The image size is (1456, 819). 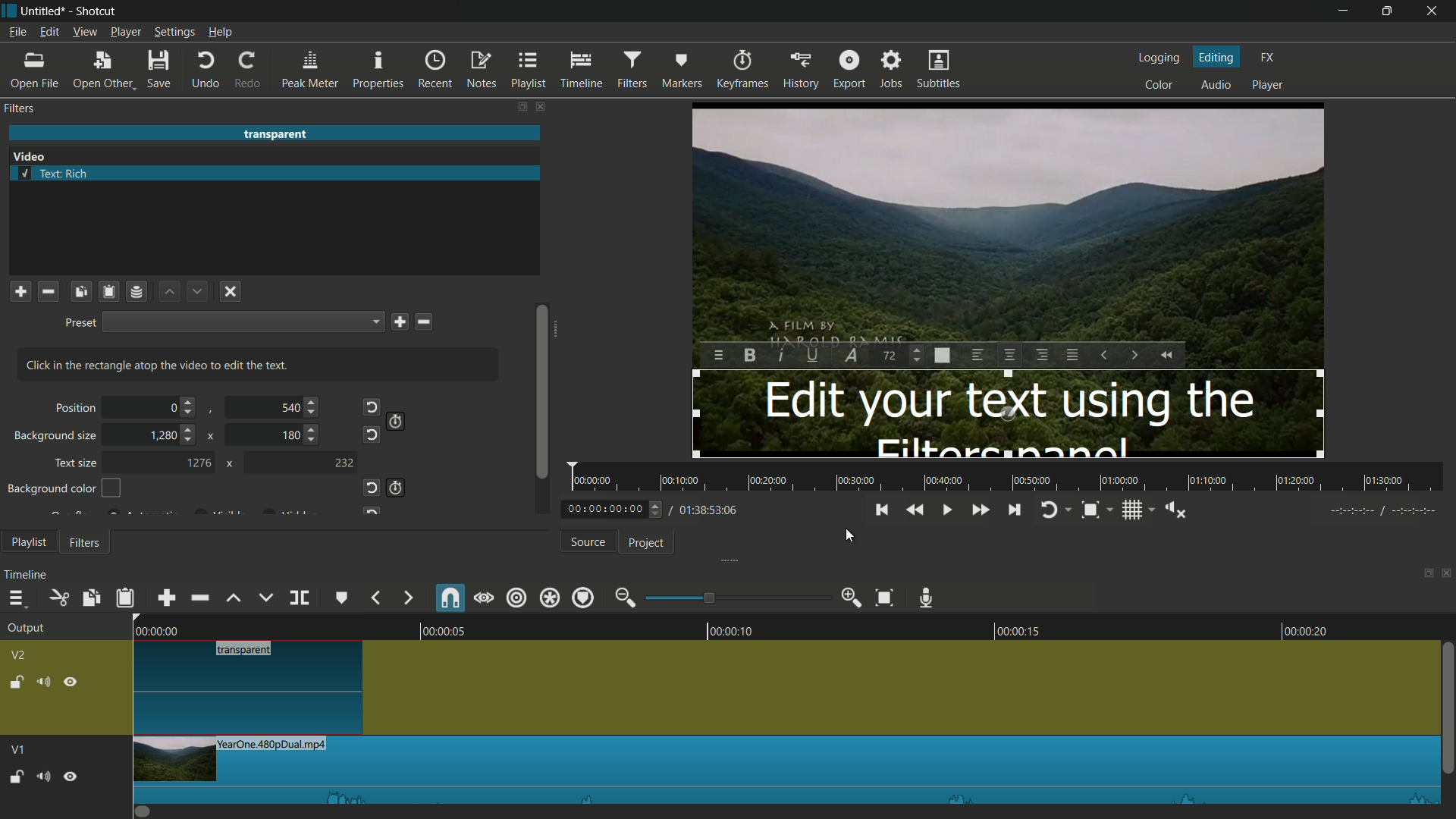 I want to click on close filters, so click(x=543, y=106).